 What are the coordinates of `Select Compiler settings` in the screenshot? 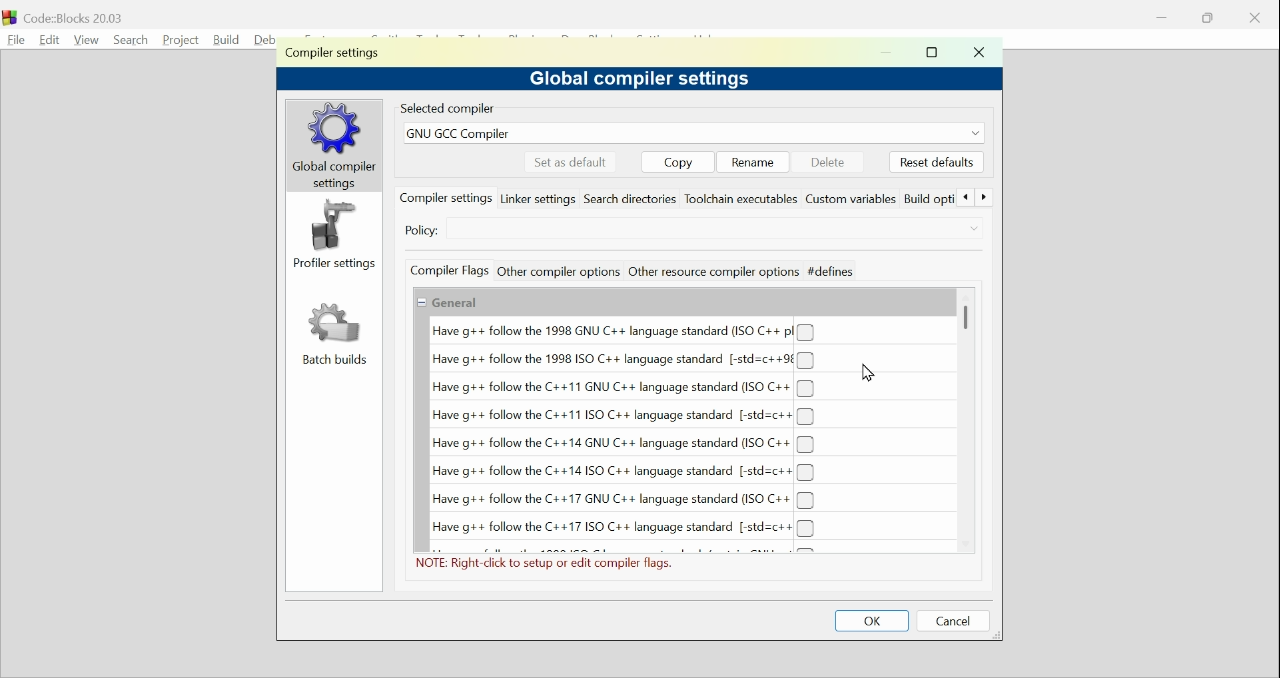 It's located at (690, 233).